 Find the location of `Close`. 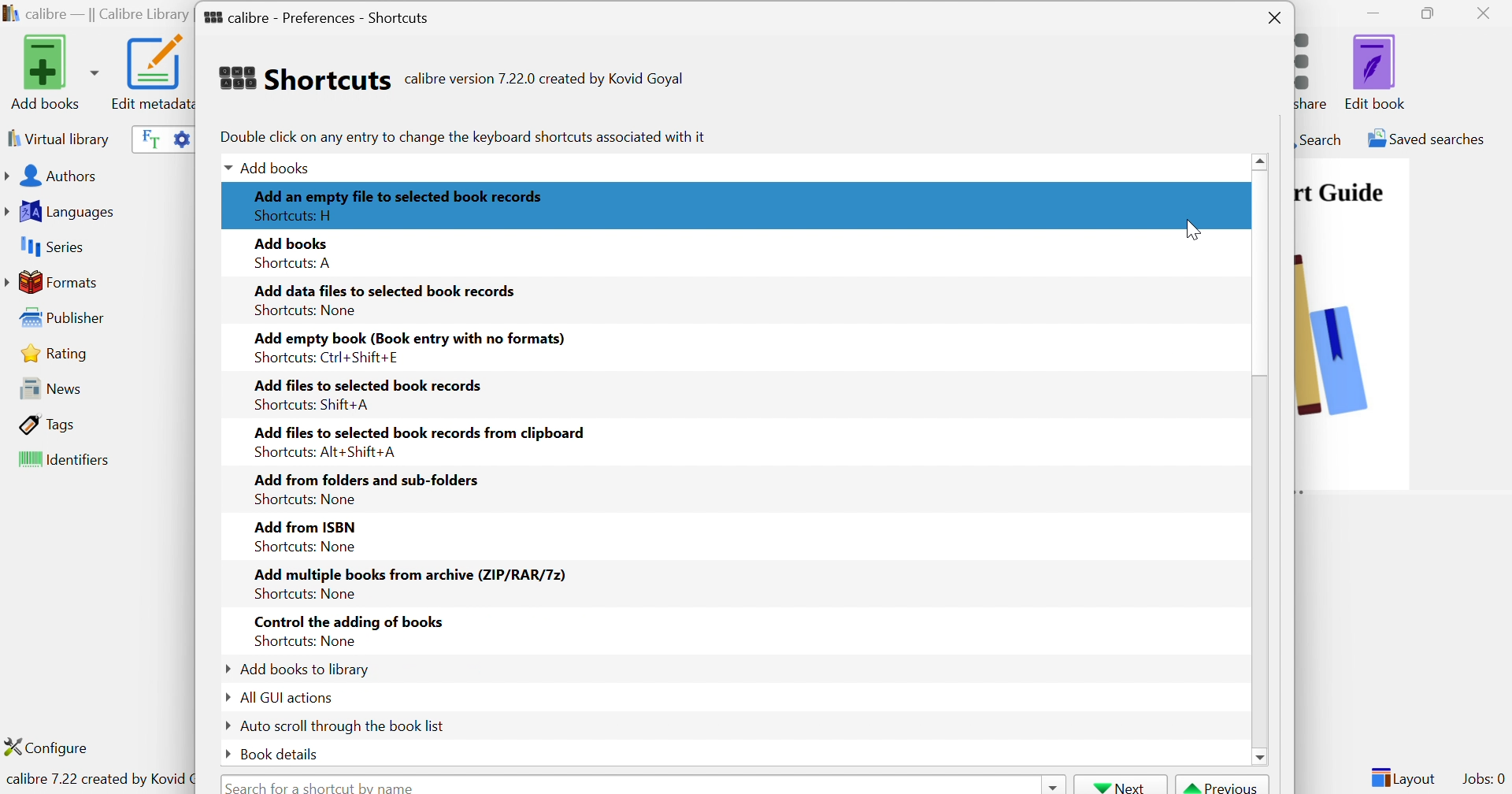

Close is located at coordinates (1275, 19).